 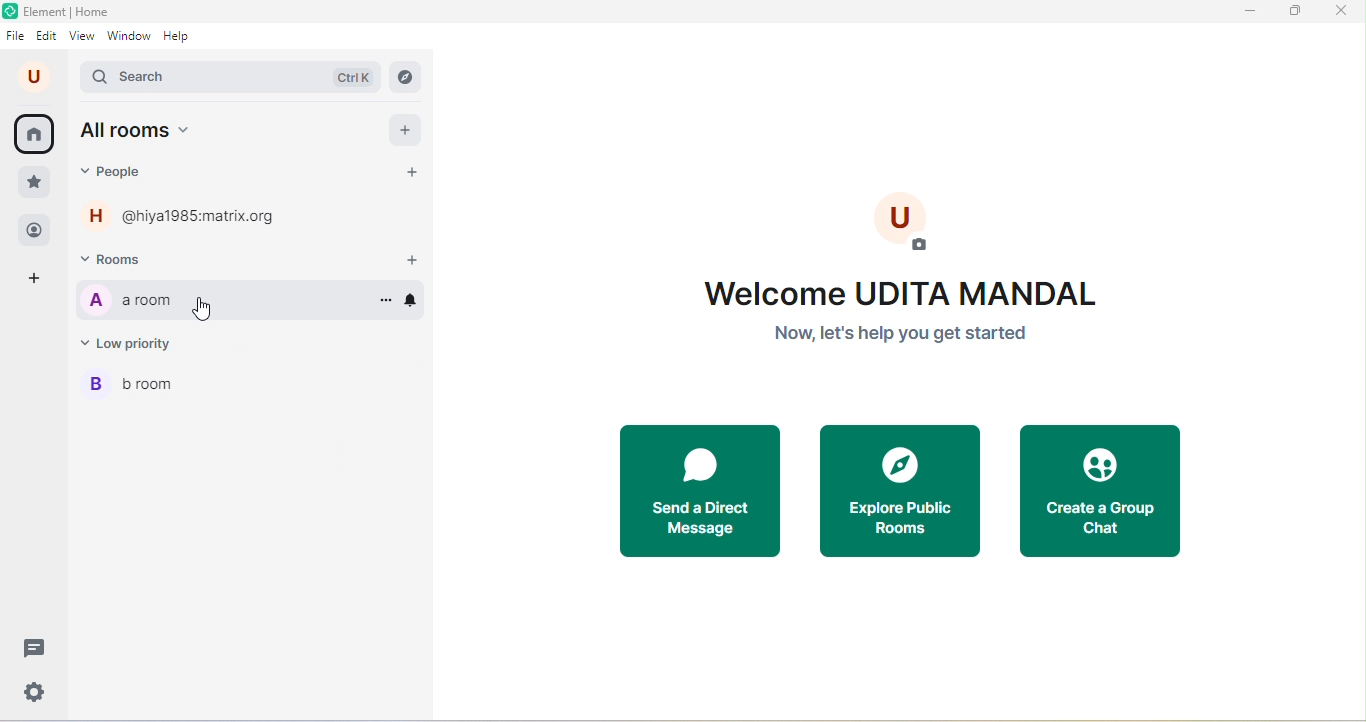 I want to click on threads, so click(x=32, y=648).